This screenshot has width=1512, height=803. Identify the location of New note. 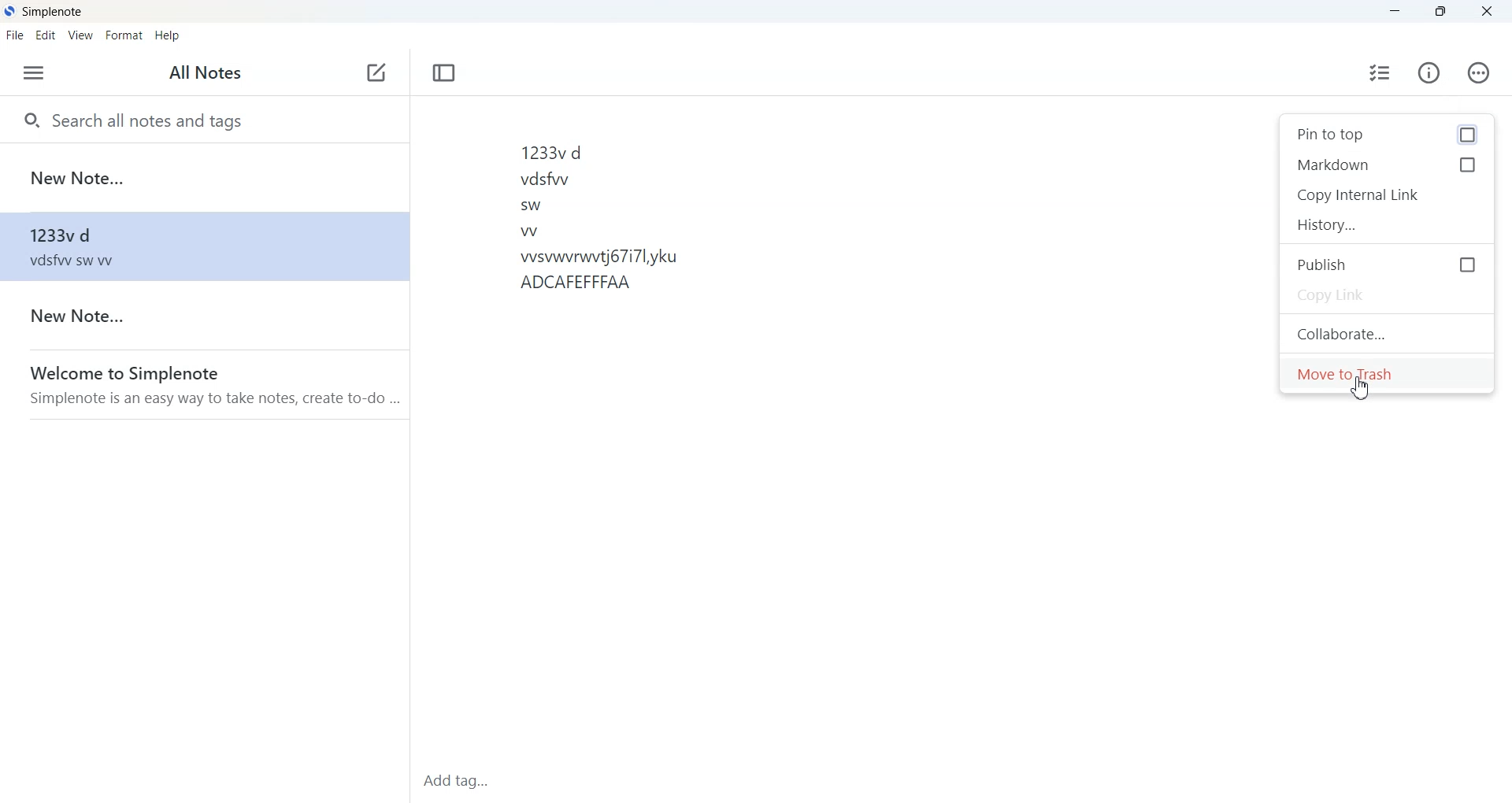
(203, 316).